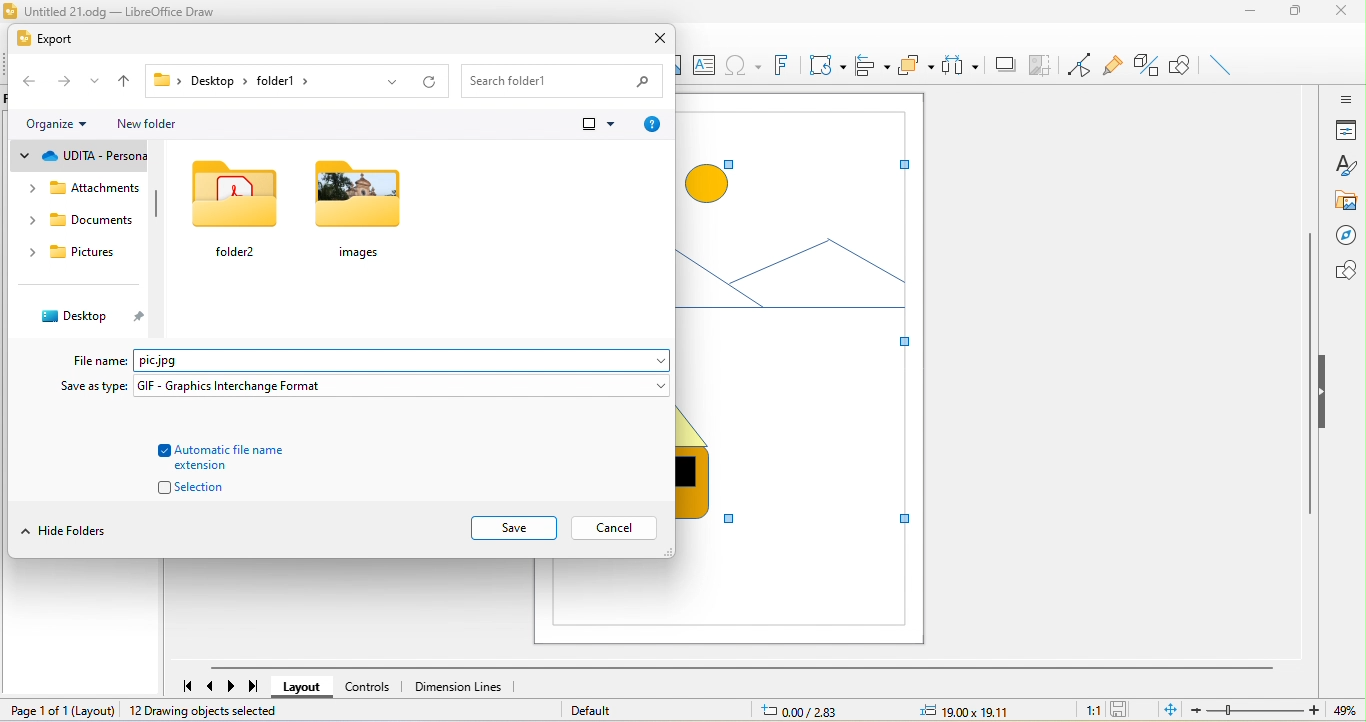  I want to click on  Pictures., so click(81, 256).